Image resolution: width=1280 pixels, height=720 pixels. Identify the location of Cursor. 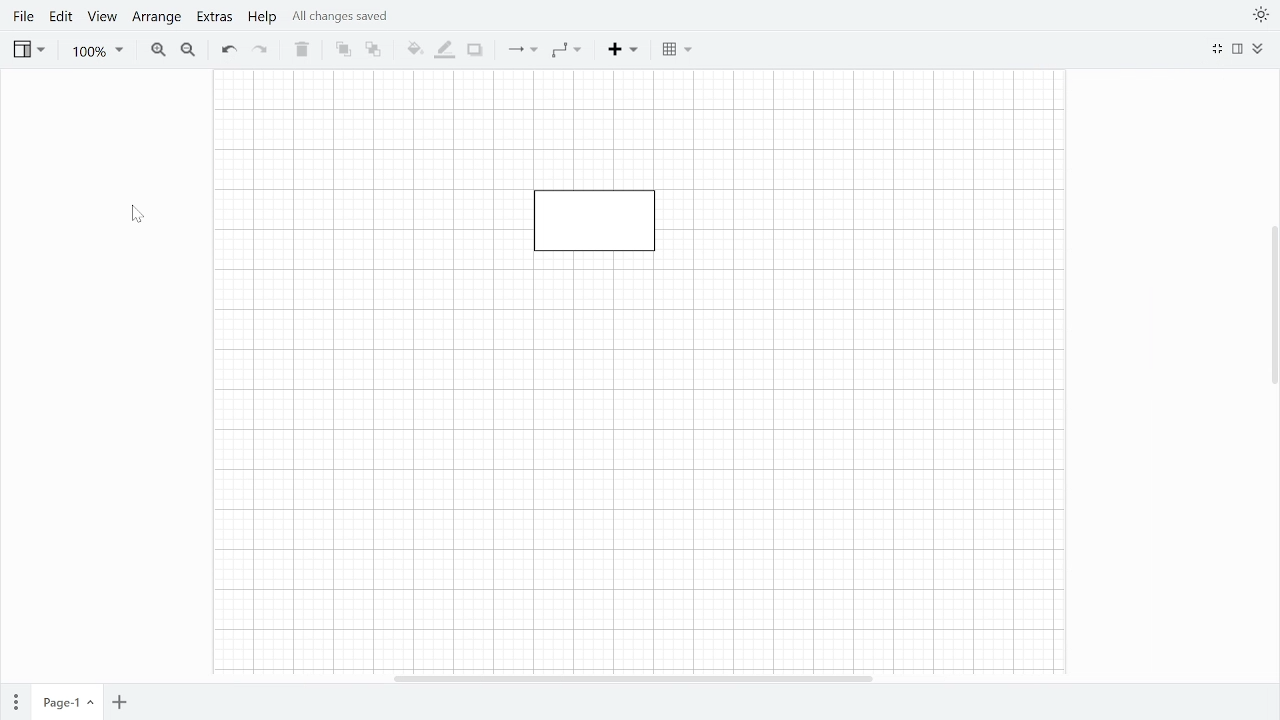
(137, 214).